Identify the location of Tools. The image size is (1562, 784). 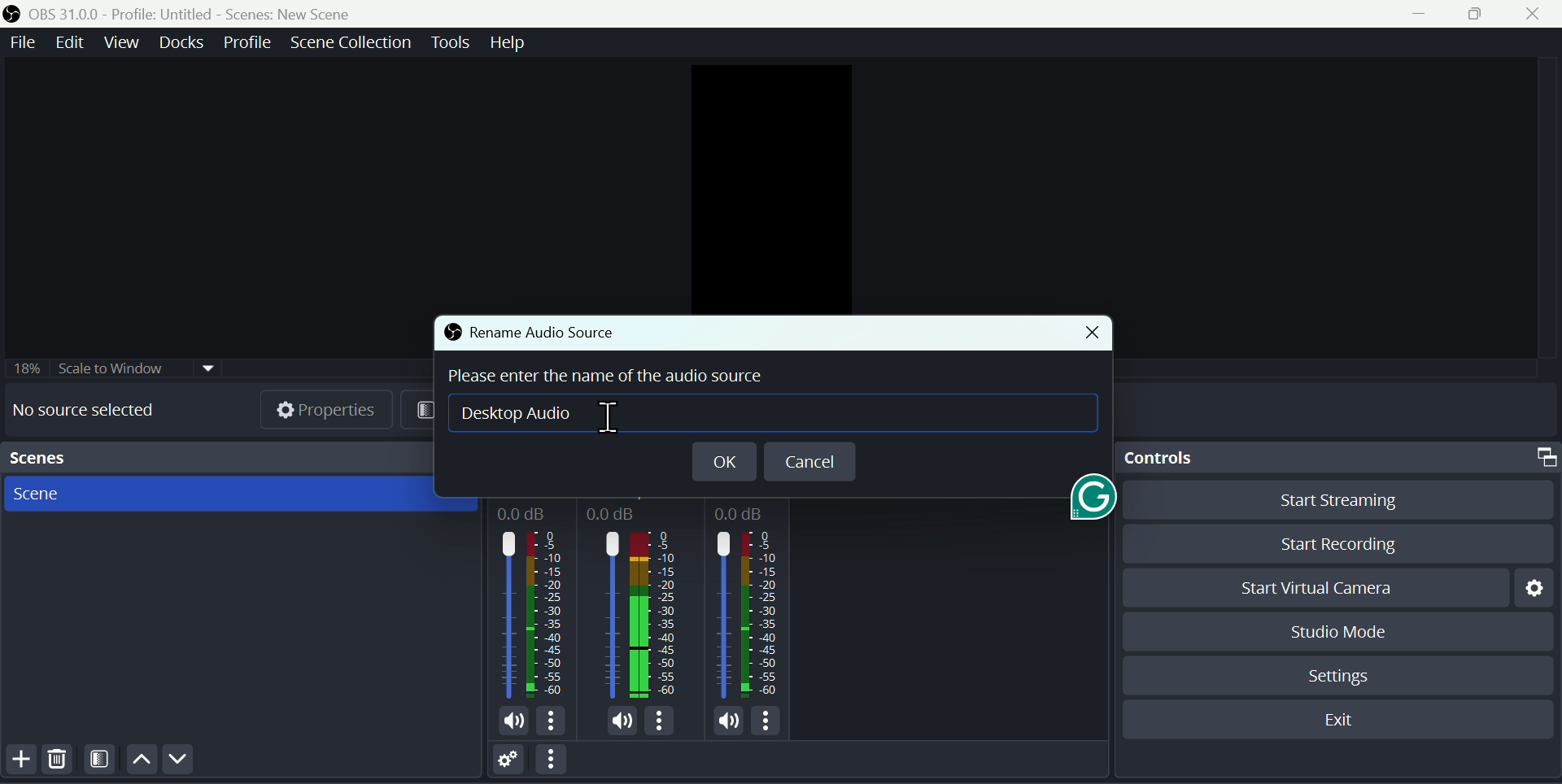
(450, 45).